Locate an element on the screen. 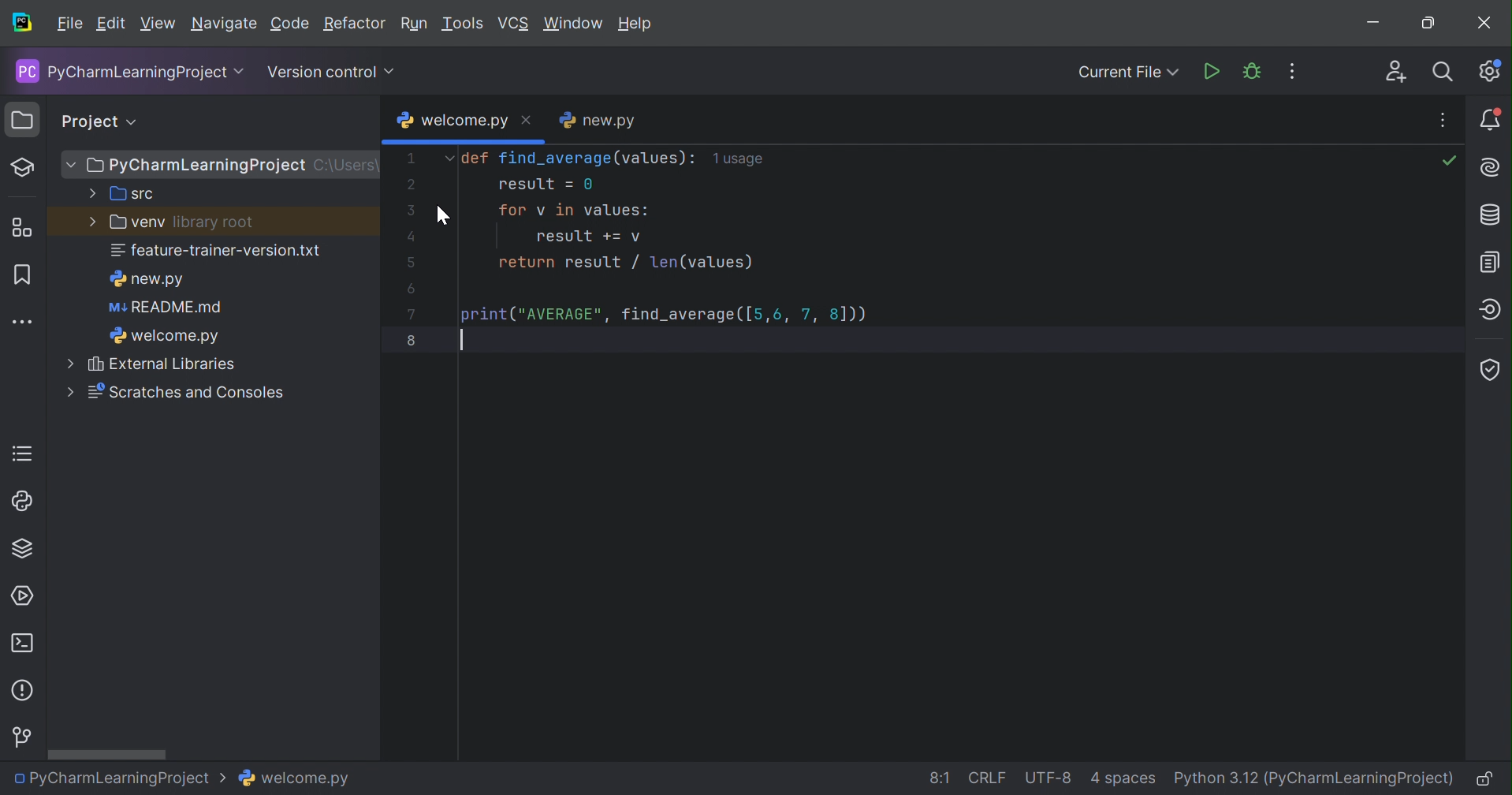  Version Control is located at coordinates (328, 74).